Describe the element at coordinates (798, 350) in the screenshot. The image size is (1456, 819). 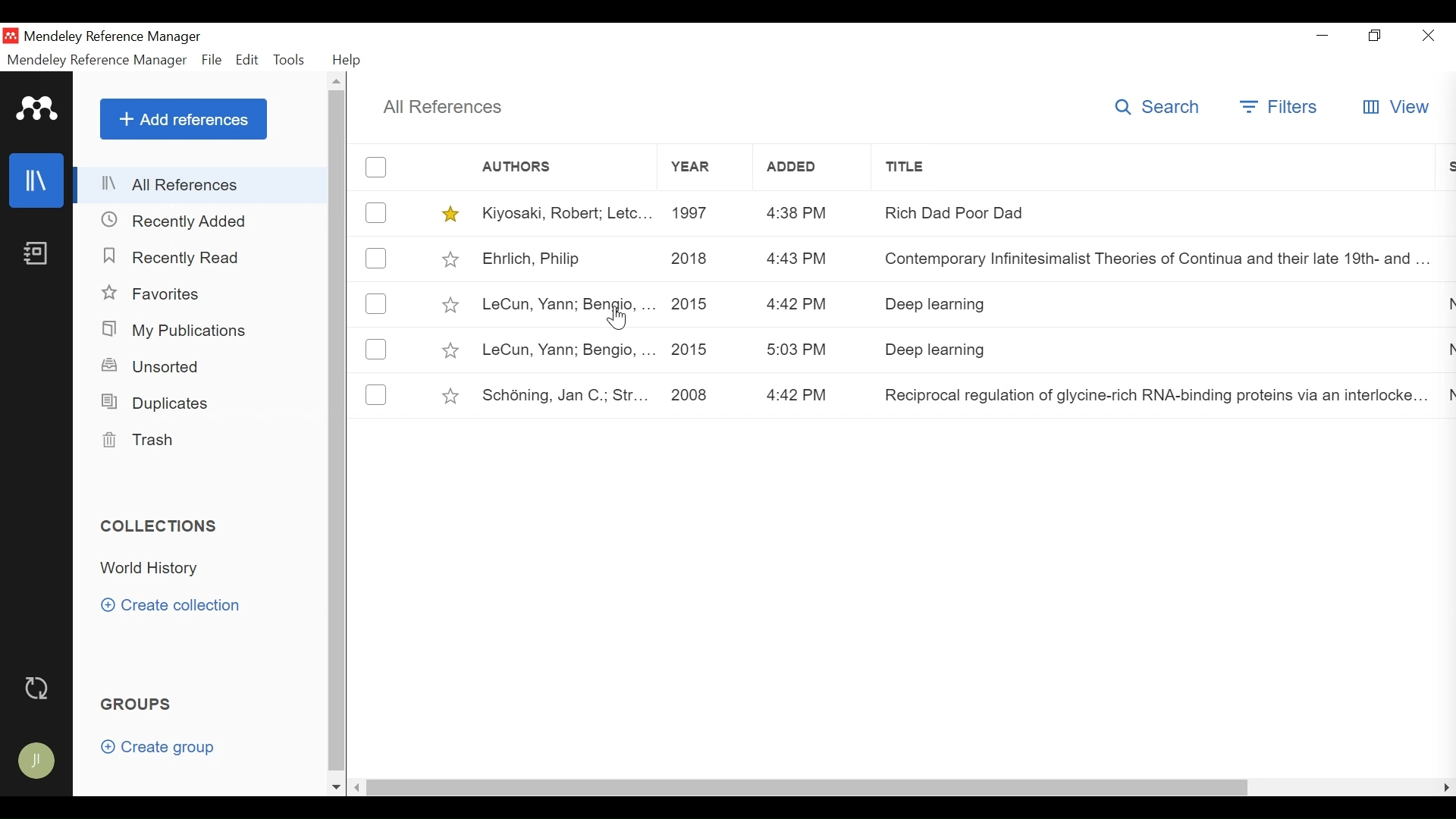
I see `5:03 PM` at that location.